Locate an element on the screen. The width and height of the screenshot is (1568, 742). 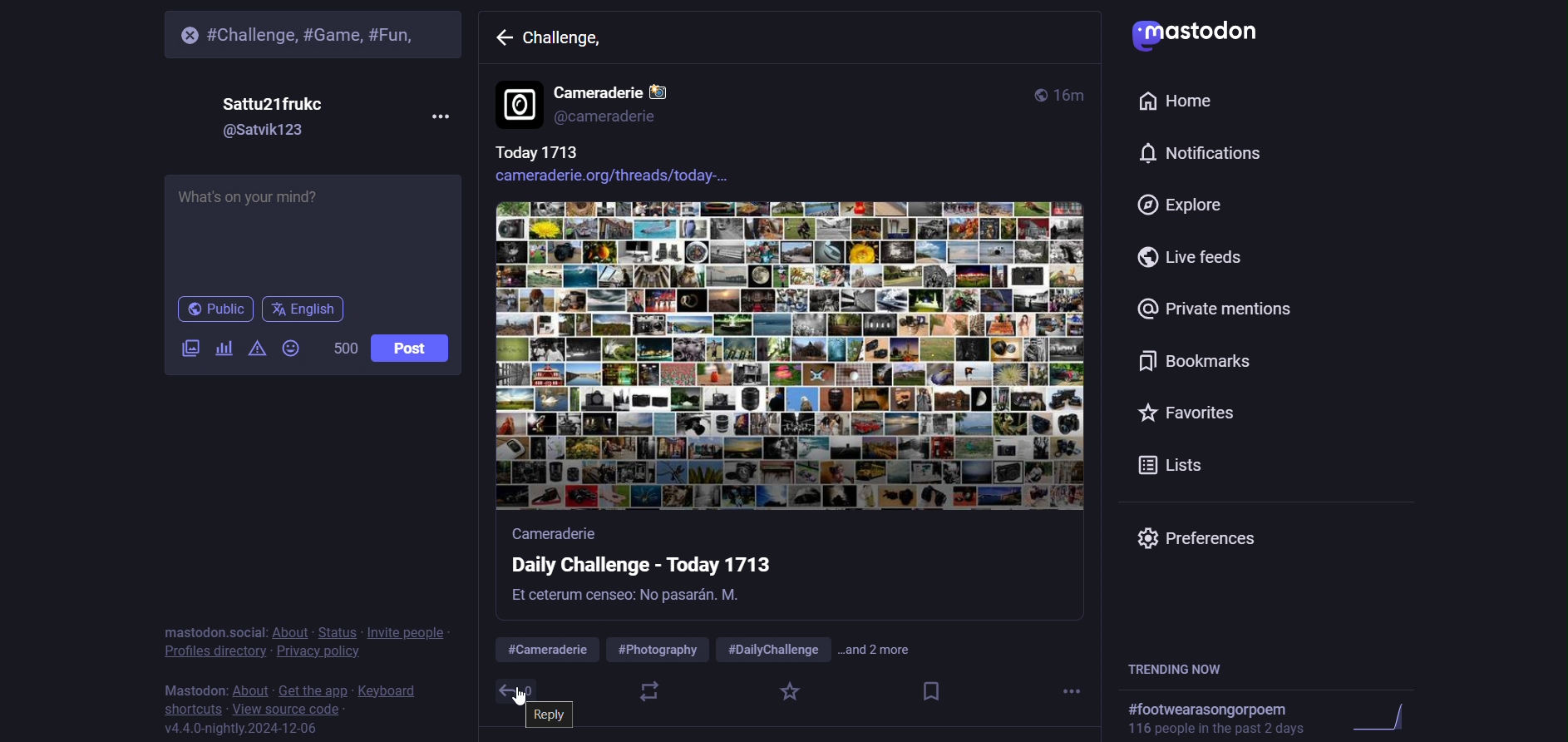
status is located at coordinates (342, 623).